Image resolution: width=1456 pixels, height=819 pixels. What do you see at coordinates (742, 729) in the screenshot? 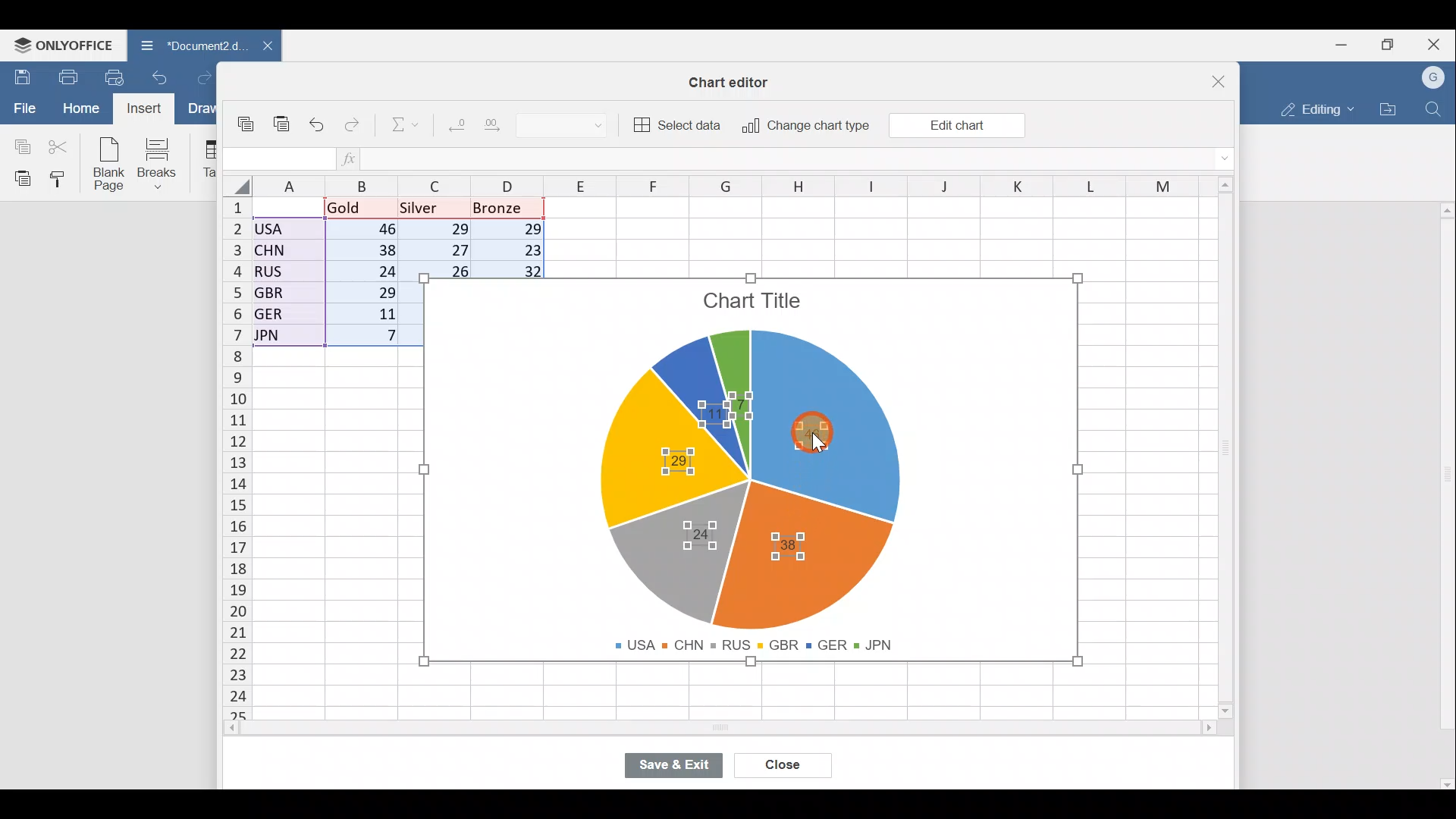
I see `Scroll bar` at bounding box center [742, 729].